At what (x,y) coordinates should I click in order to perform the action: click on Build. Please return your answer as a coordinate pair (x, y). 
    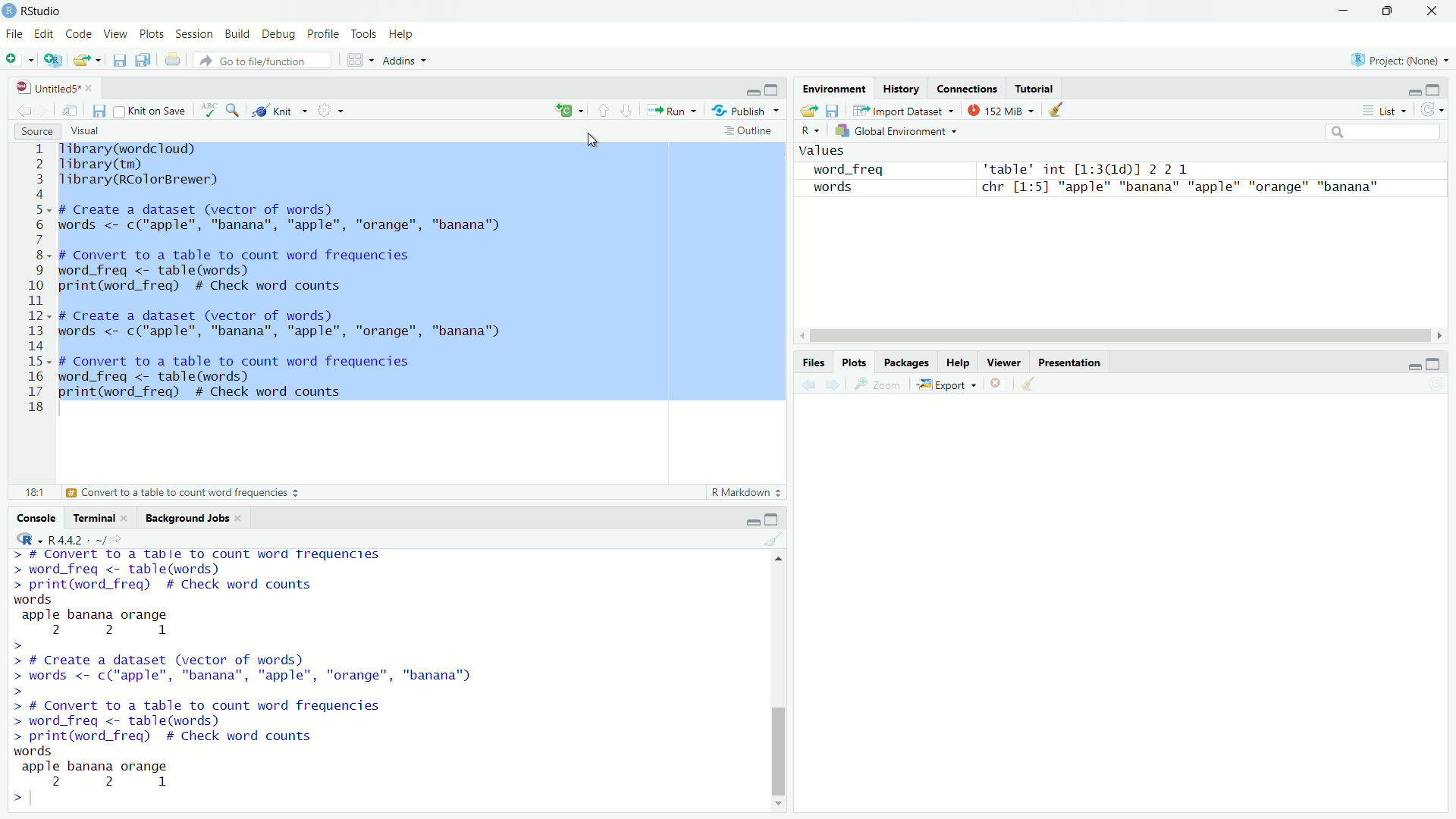
    Looking at the image, I should click on (238, 34).